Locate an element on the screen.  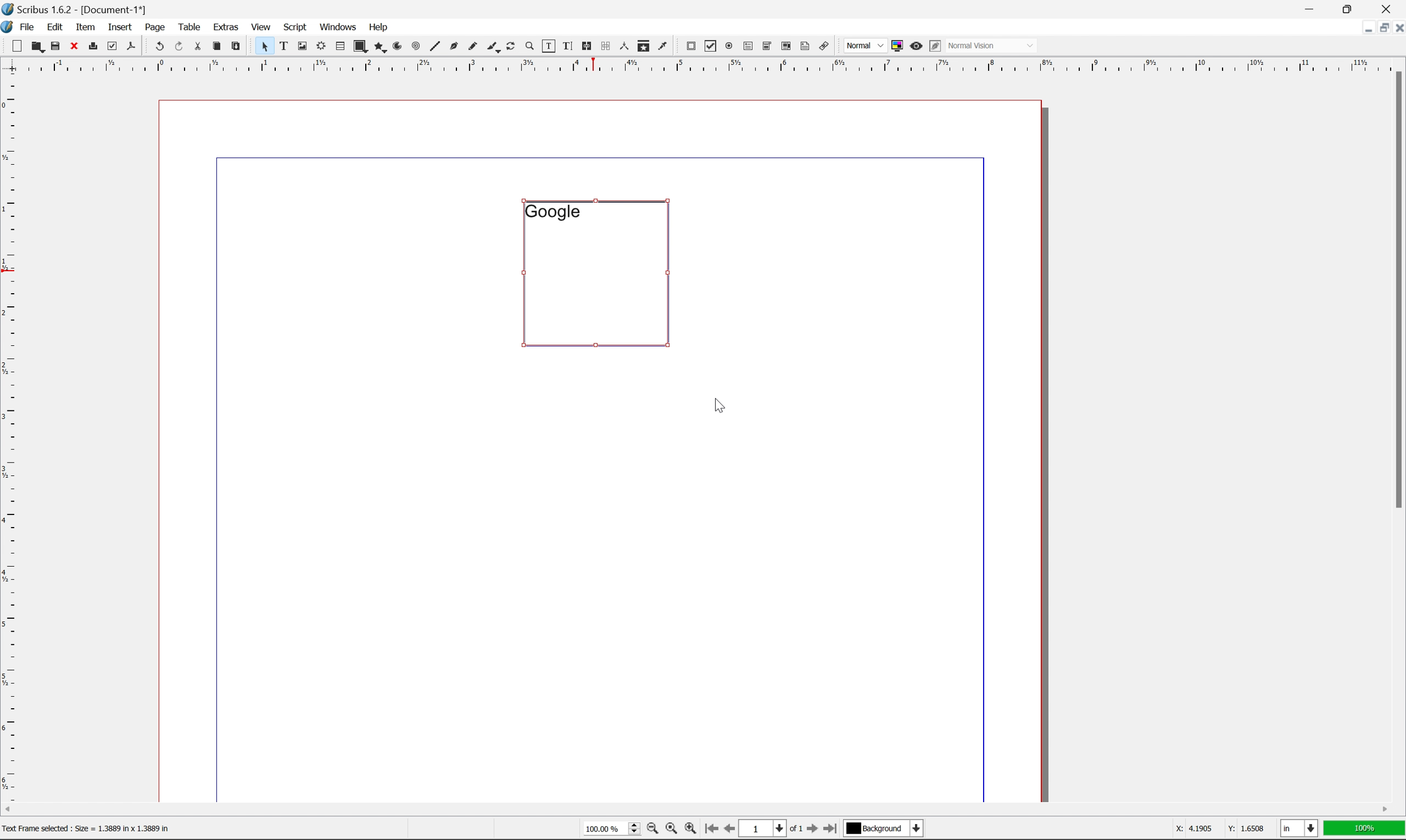
undo is located at coordinates (159, 47).